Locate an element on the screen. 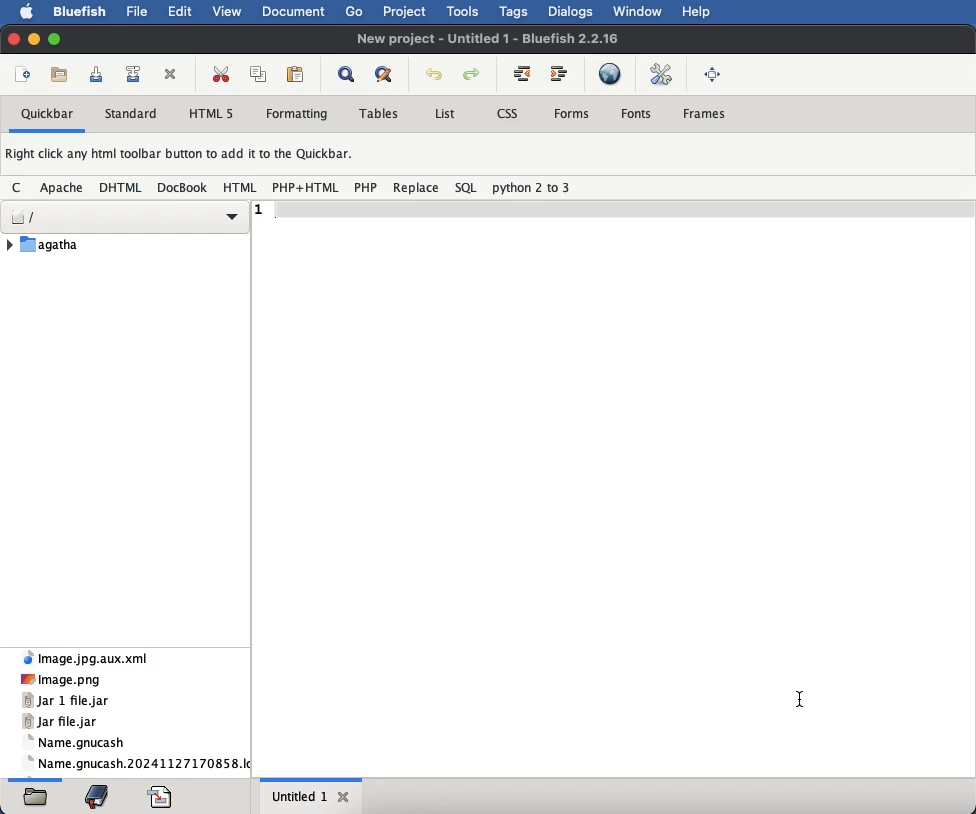 The image size is (976, 814). edit is located at coordinates (182, 10).